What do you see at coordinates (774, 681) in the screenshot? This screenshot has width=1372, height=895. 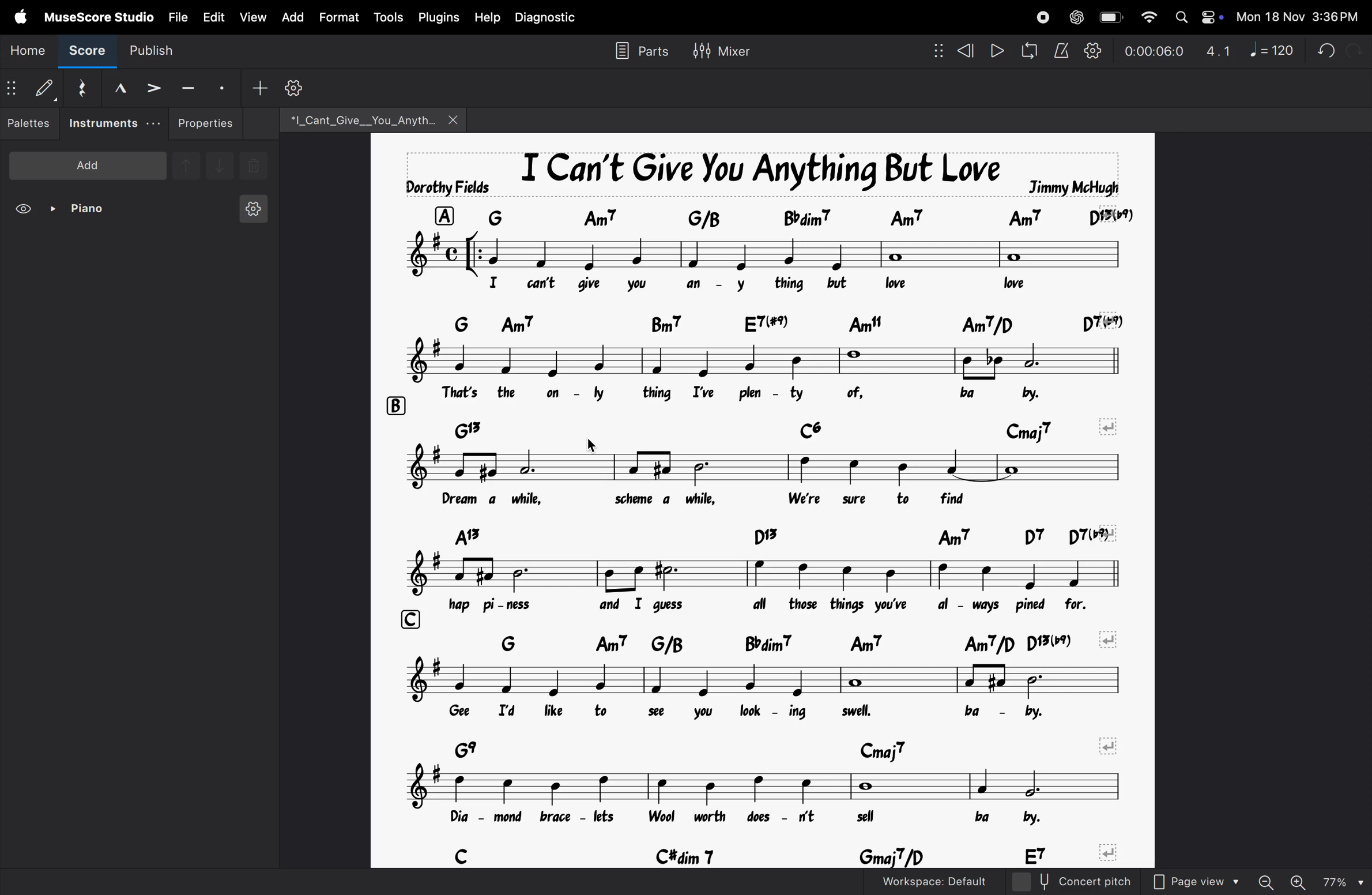 I see `notes` at bounding box center [774, 681].